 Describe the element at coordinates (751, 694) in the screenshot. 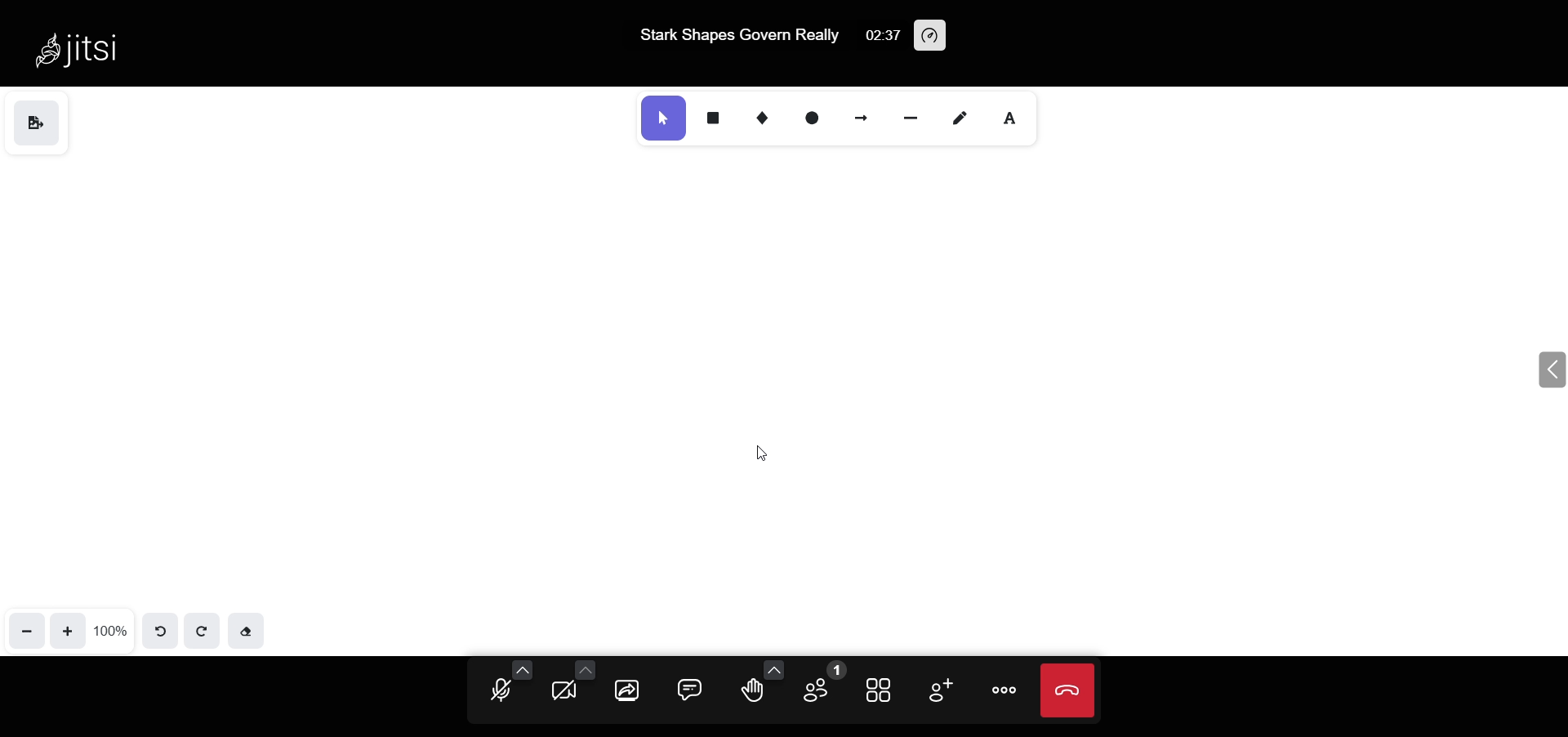

I see `raise hand` at that location.